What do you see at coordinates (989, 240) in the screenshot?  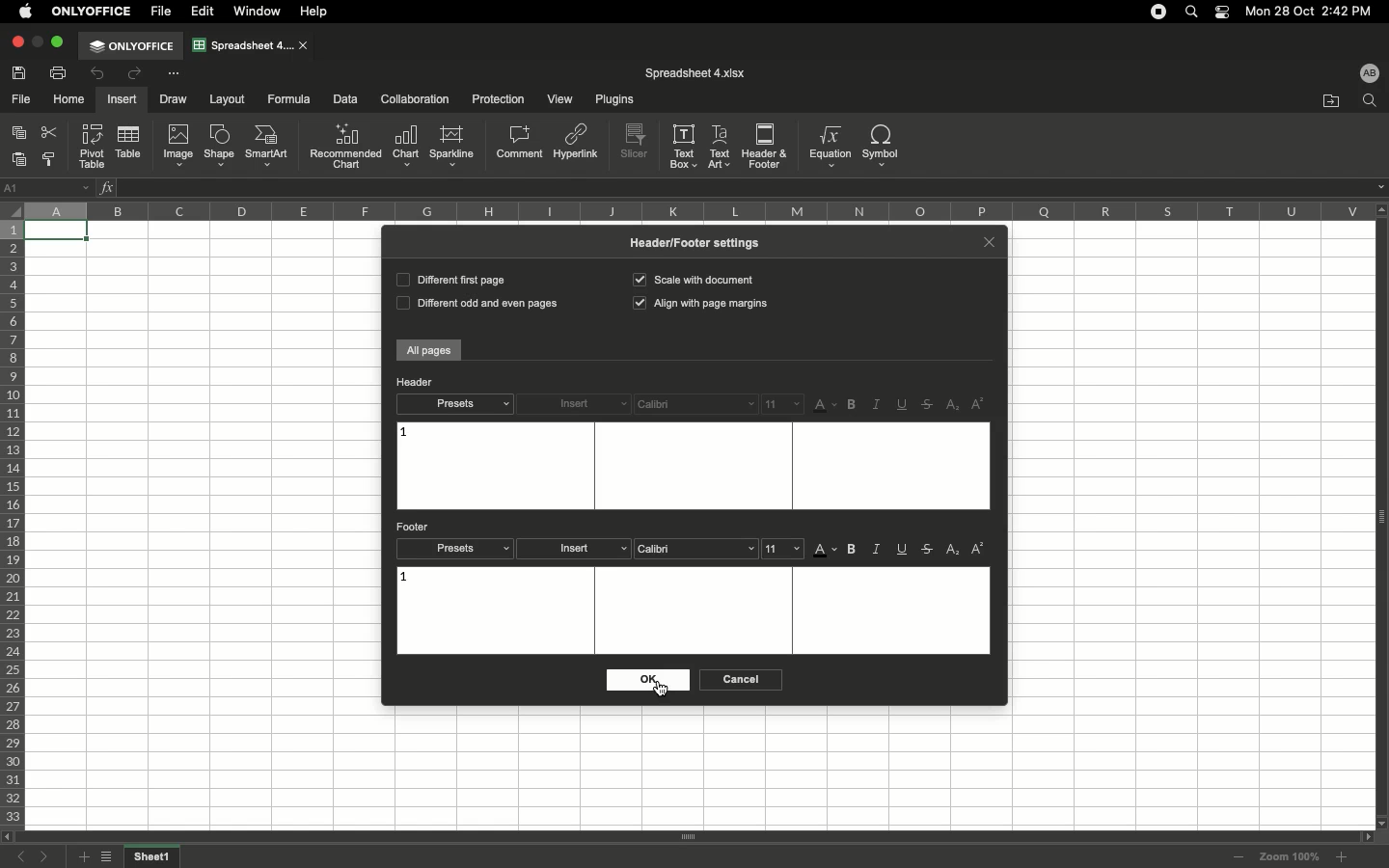 I see `Close` at bounding box center [989, 240].